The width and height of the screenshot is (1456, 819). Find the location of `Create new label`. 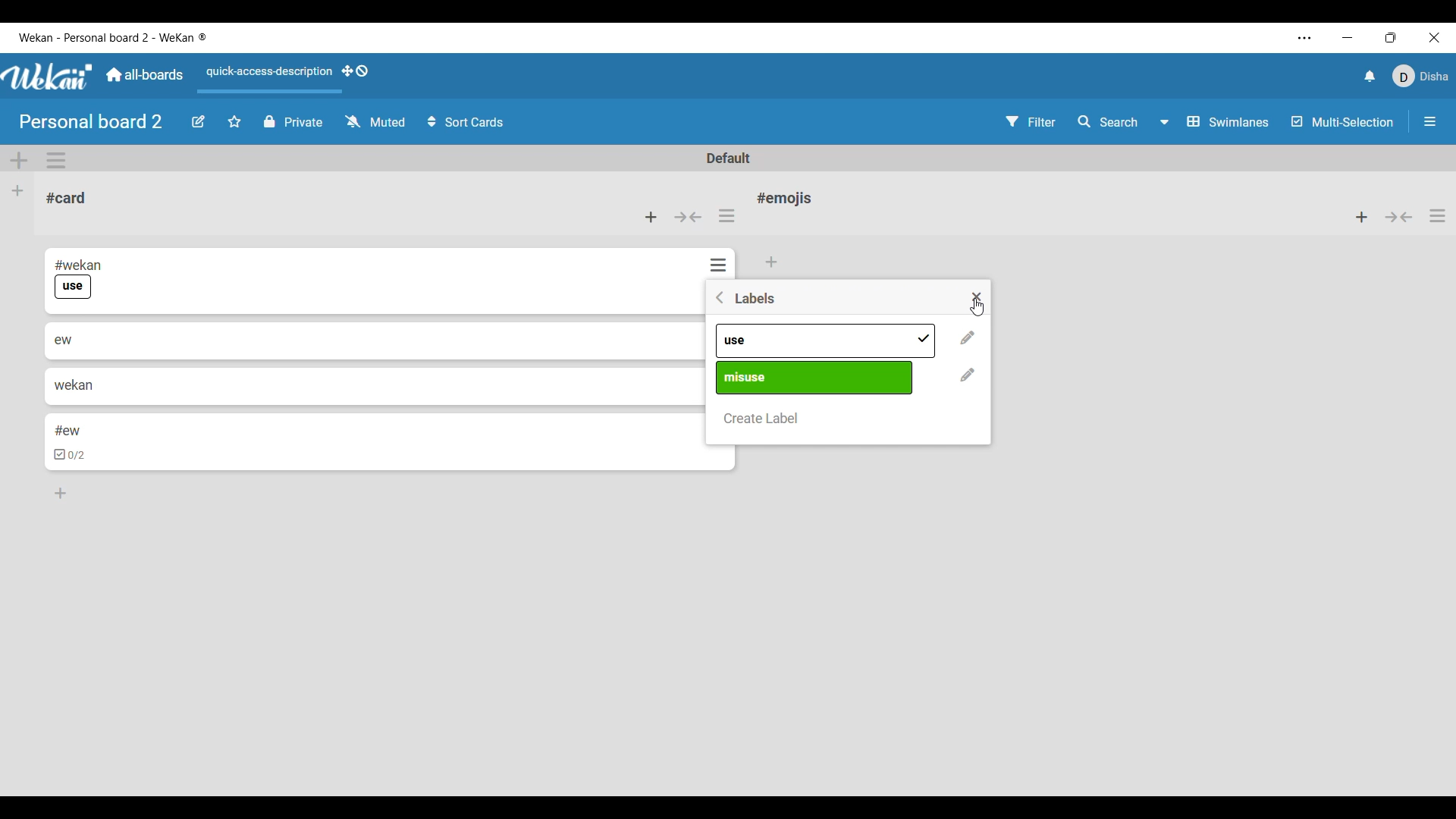

Create new label is located at coordinates (762, 419).